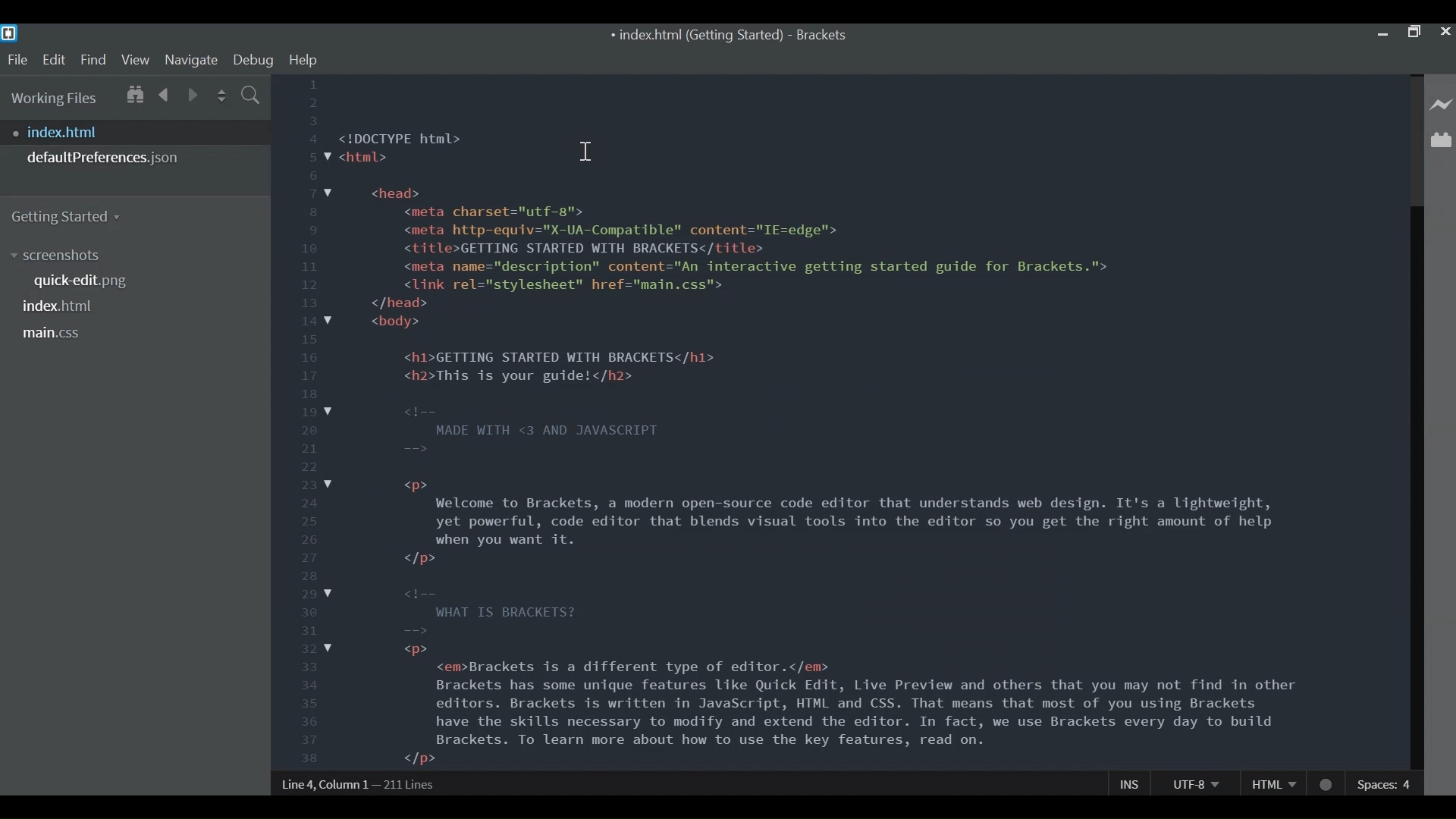 Image resolution: width=1456 pixels, height=819 pixels. Describe the element at coordinates (821, 447) in the screenshot. I see `<!DOCTYPE html>
<html>
<head>
<meta charset="utf-8">
<meta http-equiv="X-UA-Compatible" content="IE=edge">
<title>GETTING STARTED WITH BRACKETS</title>
<meta name="description" content="An interactive getting started guide for Brackets.">
<link rel="stylesheet" href="main.css">
</head>
<body>
<h1>GETTING STARTED WITH BRACKETS</h1>
<h2>This is your guide!</h2>
MADE WITH <3 AND JAVASCRIPT
<p>
Welcome to Brackets, a modern open-source code editor that understands web design. It's a lightweight,
yet powerful, code editor that blends visual tools into the editor so you get the right amount of help
when you want it.
</p>
WHAT IS BRACKETS?
<p>
<em>Brackets is a different type of editor.</em>
Brackets has some unique features like Quick Edit, Live Preview and others that you may not find in other
editors. Brackets is written in JavaScript, HTML and CSS. That means that most of you using Brackets
have the skills necessary to modify and extend the editor. In fact, we use Brackets every day to build
Brackets. To learn more about how to use the key features, read on.
</p>` at that location.